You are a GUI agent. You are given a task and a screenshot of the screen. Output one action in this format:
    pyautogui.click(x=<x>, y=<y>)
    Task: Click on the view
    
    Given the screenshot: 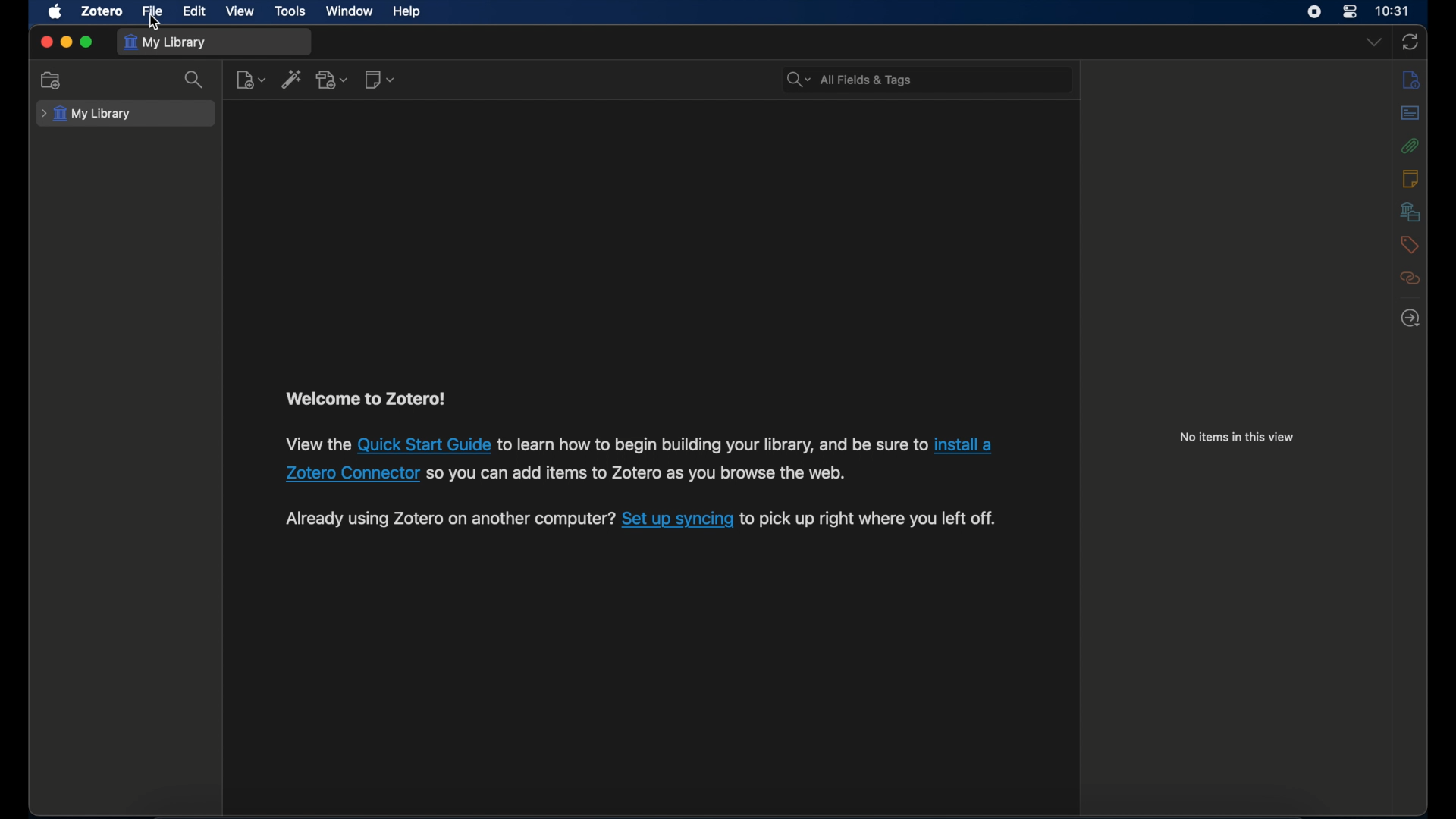 What is the action you would take?
    pyautogui.click(x=240, y=11)
    